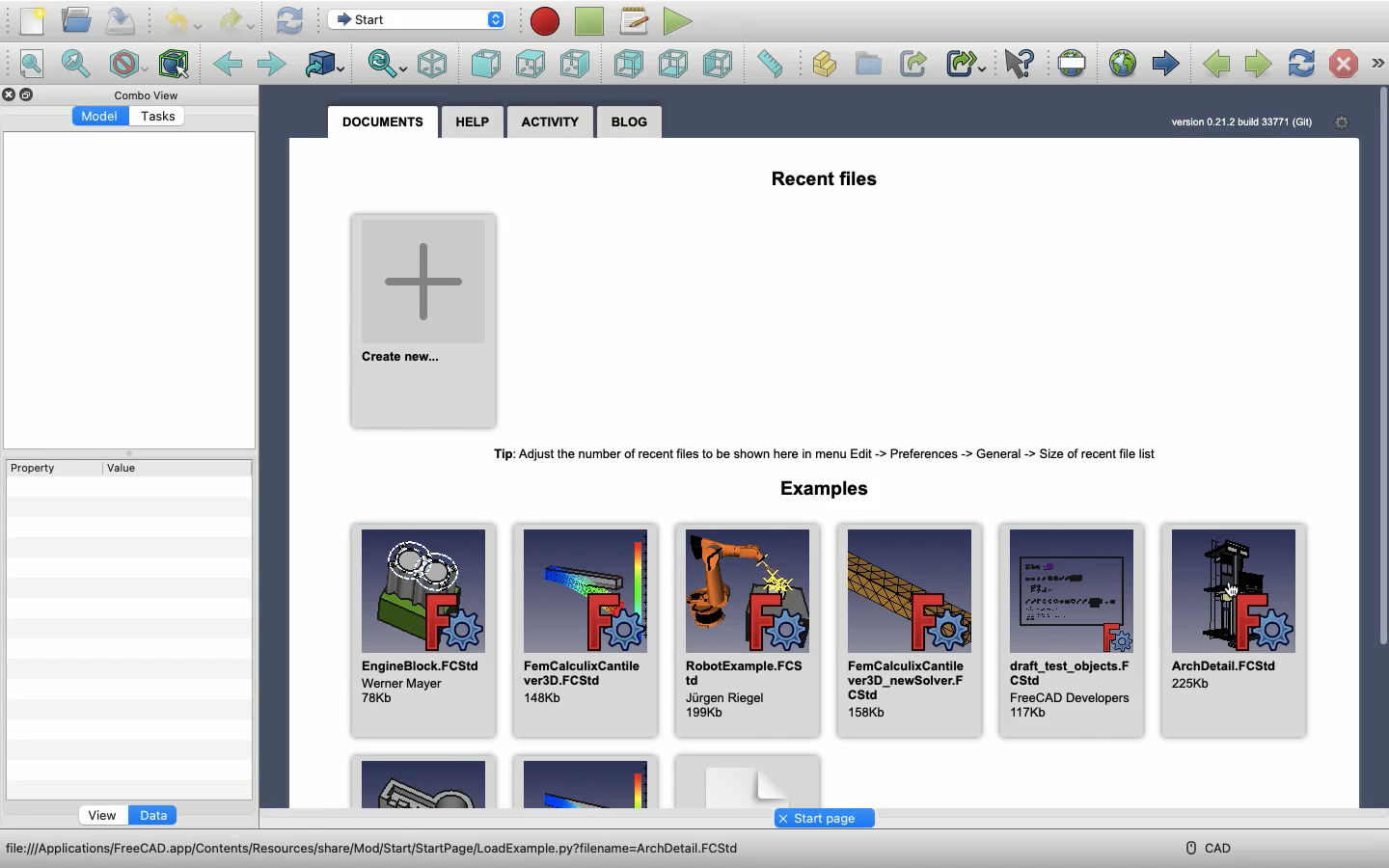  I want to click on Create new project, so click(424, 323).